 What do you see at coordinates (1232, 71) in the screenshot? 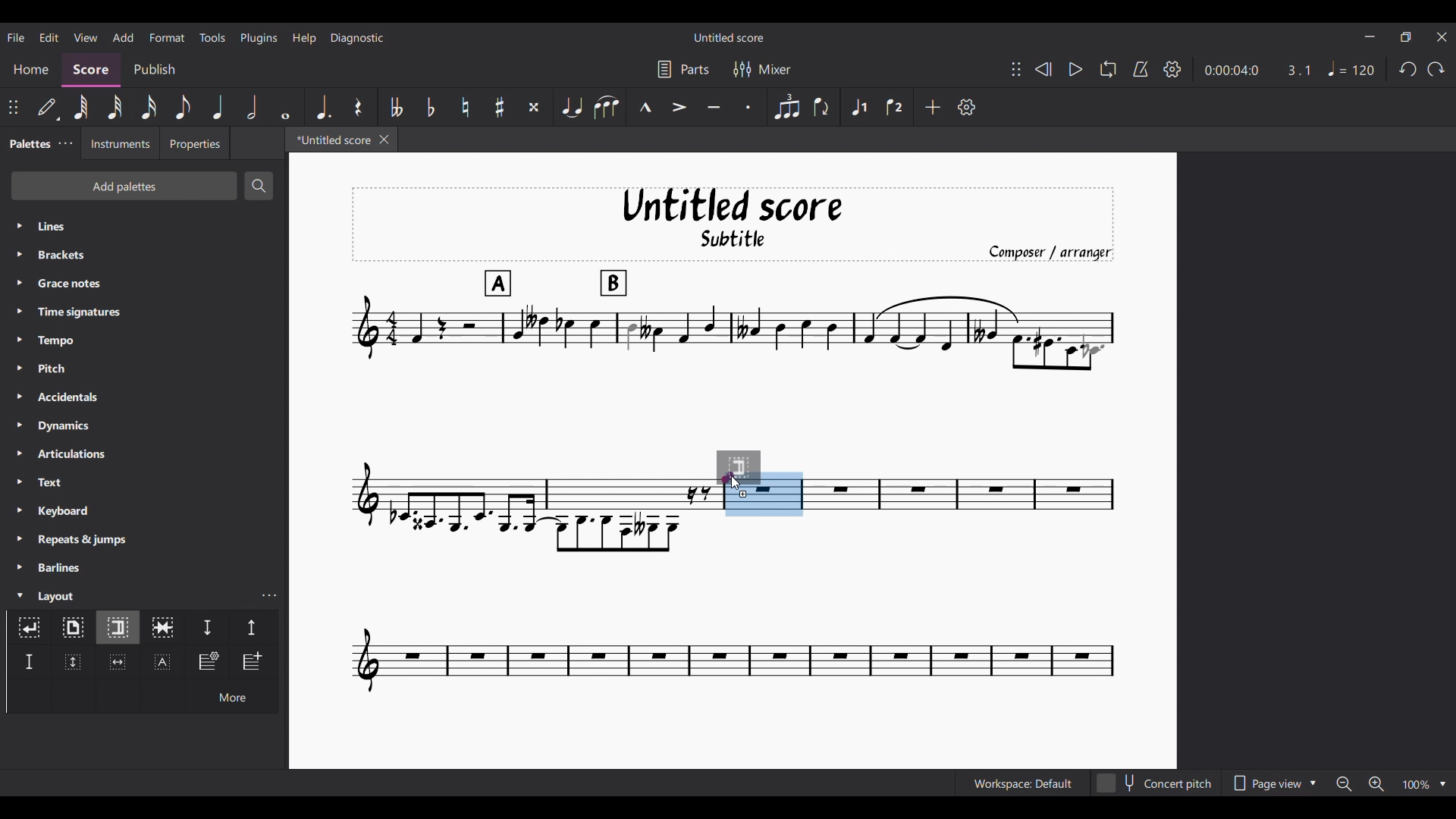
I see `0:00:04:0` at bounding box center [1232, 71].